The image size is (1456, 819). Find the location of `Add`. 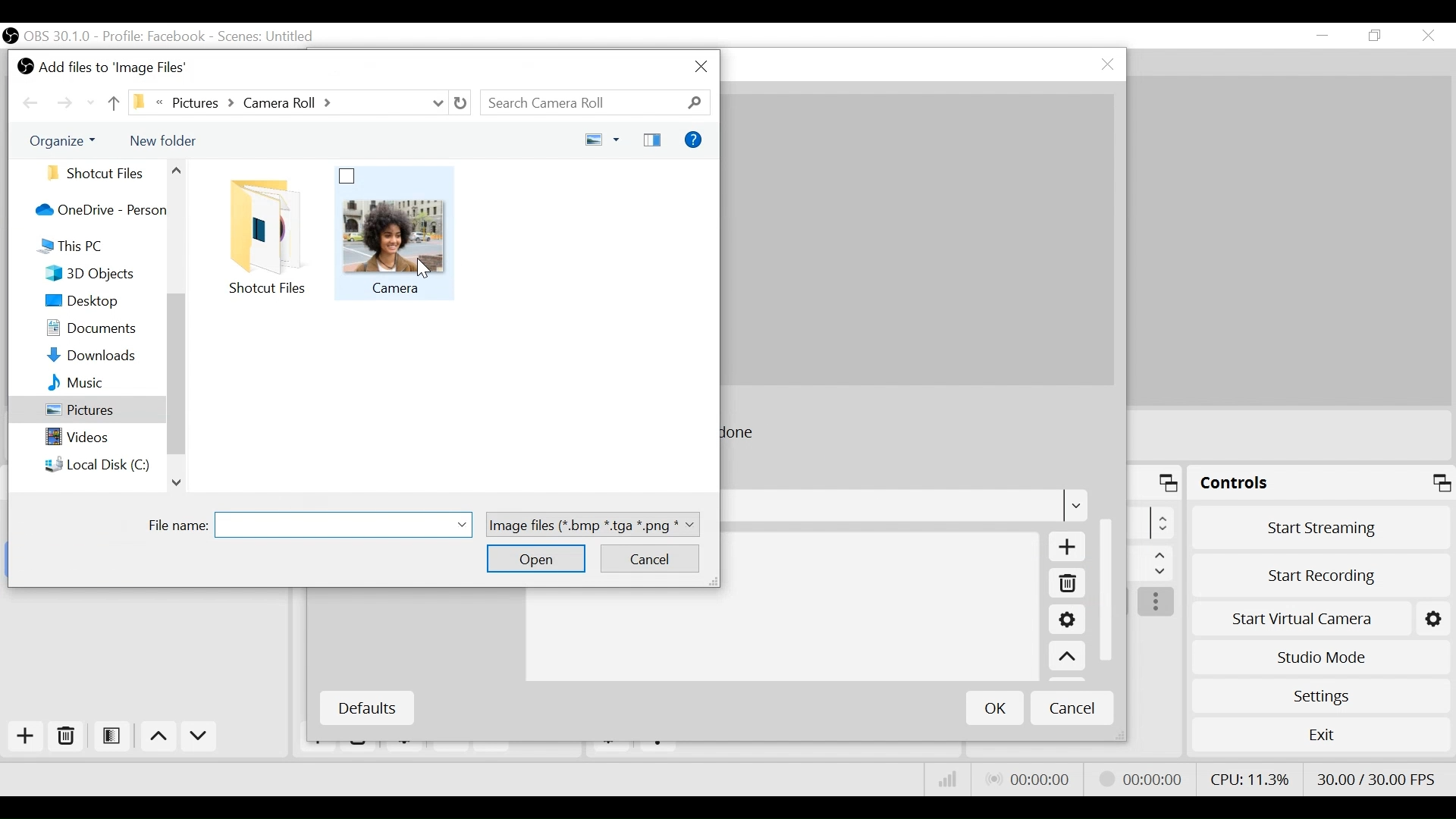

Add is located at coordinates (1064, 548).